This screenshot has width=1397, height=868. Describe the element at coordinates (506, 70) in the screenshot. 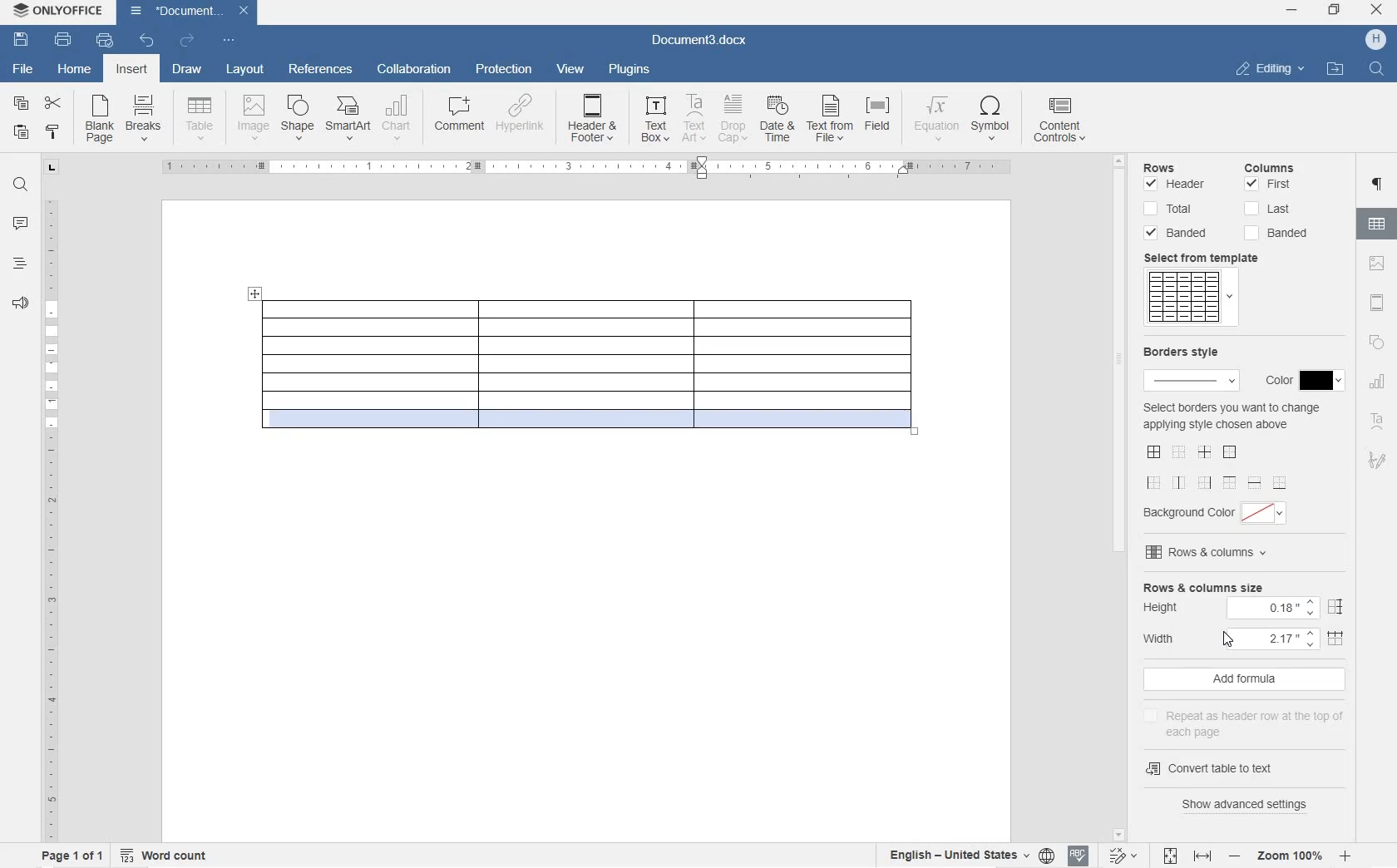

I see `PROTECTION` at that location.